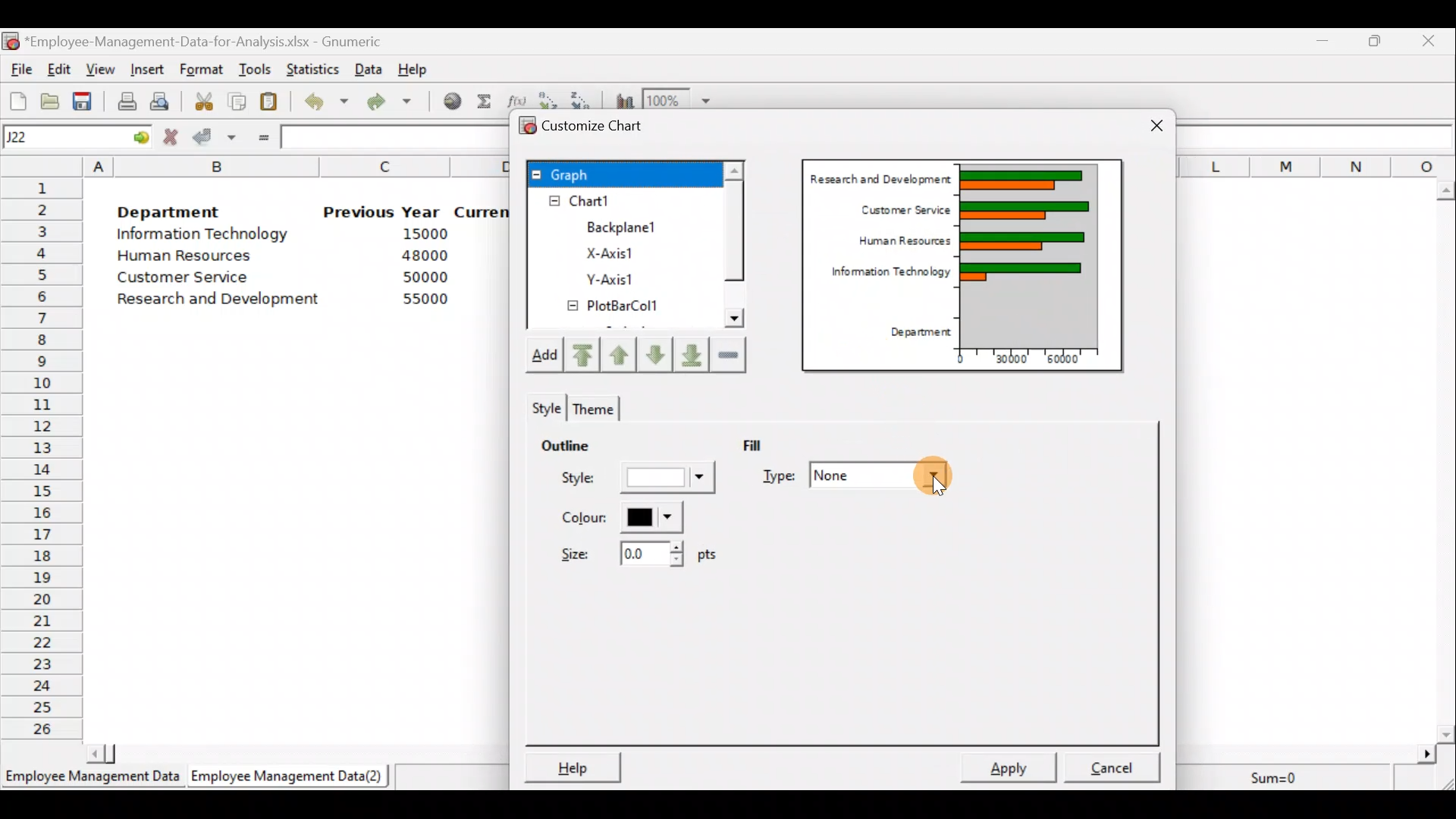  What do you see at coordinates (172, 137) in the screenshot?
I see `Cancel change` at bounding box center [172, 137].